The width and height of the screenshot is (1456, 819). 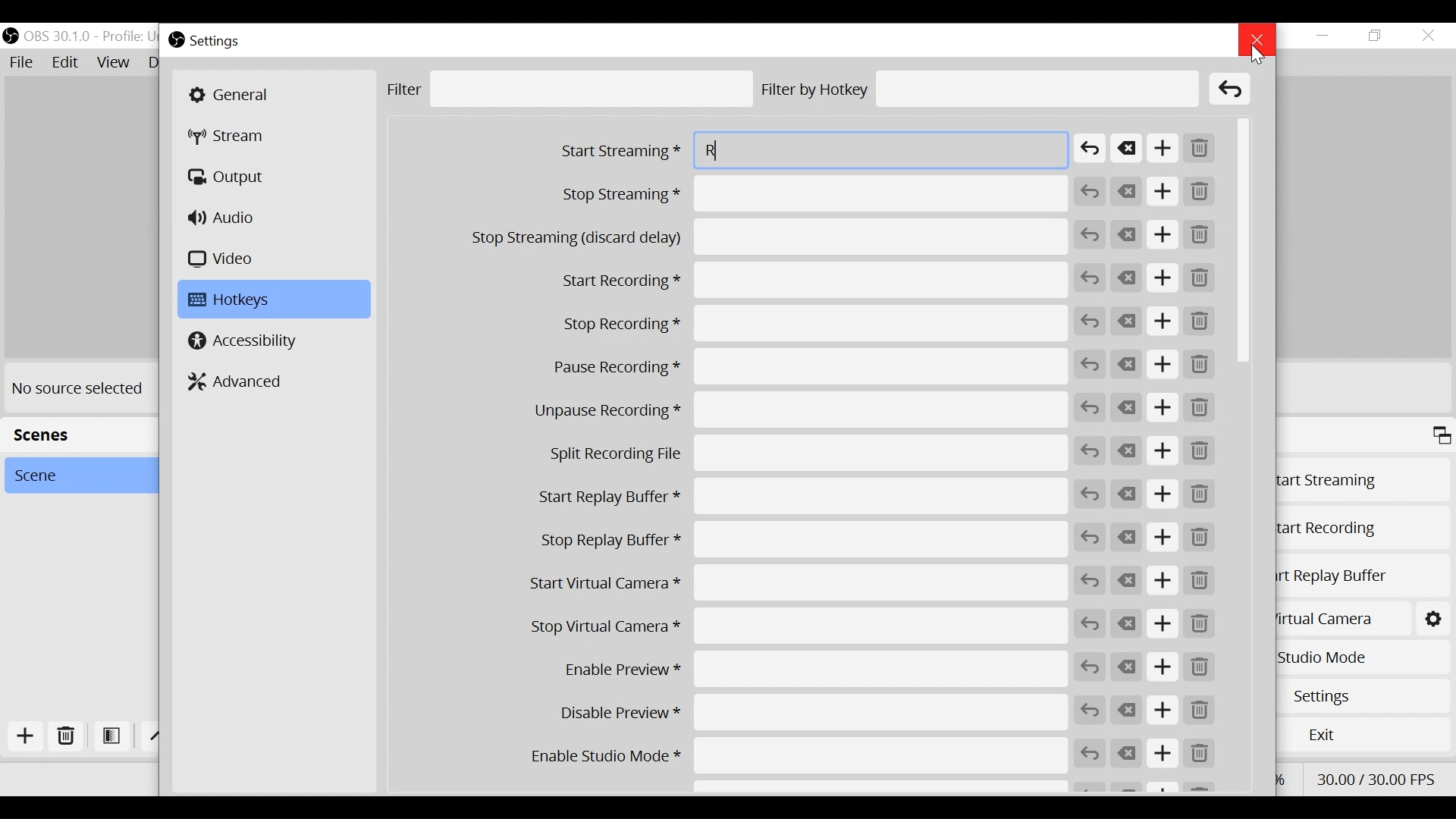 I want to click on Enable Preview, so click(x=798, y=669).